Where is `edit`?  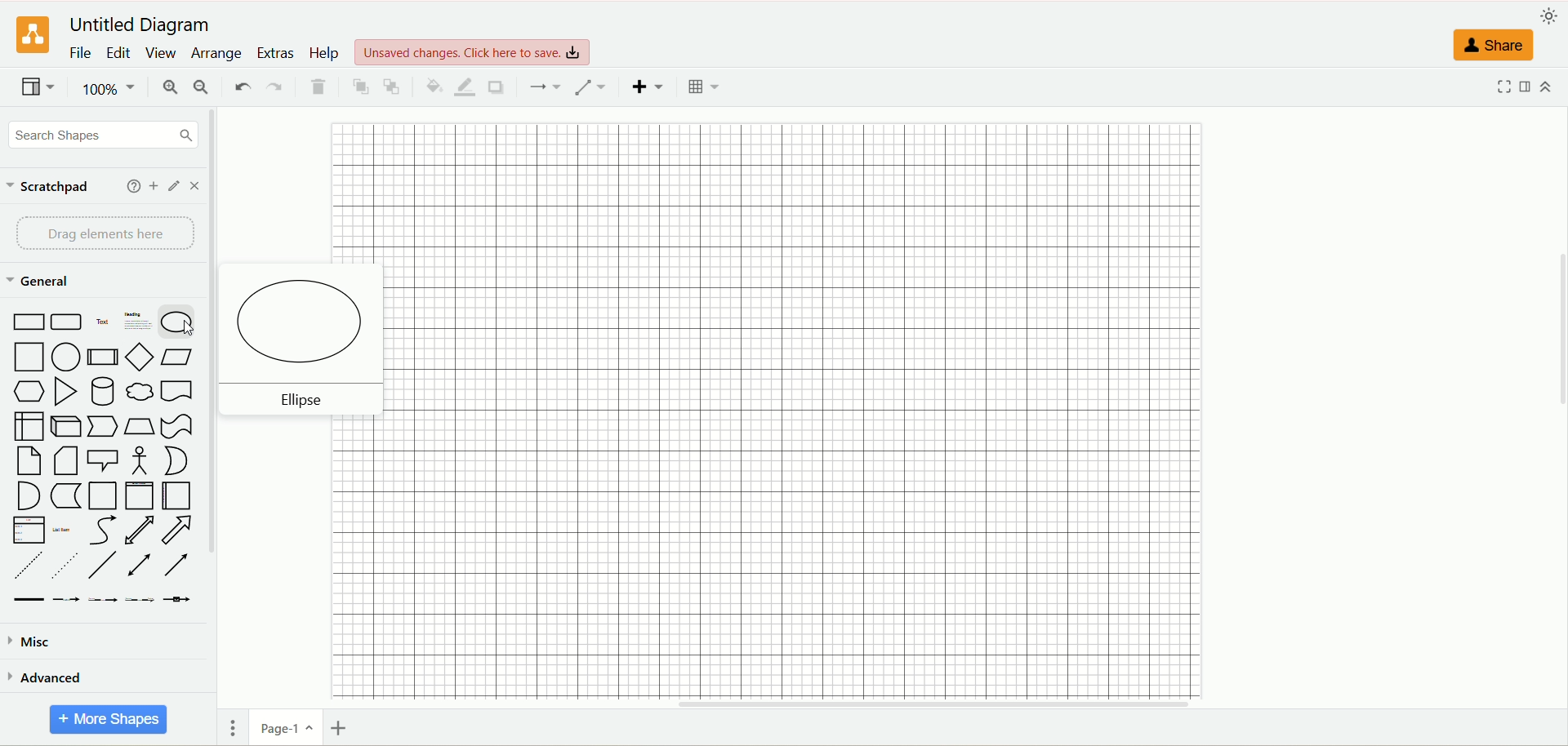 edit is located at coordinates (121, 53).